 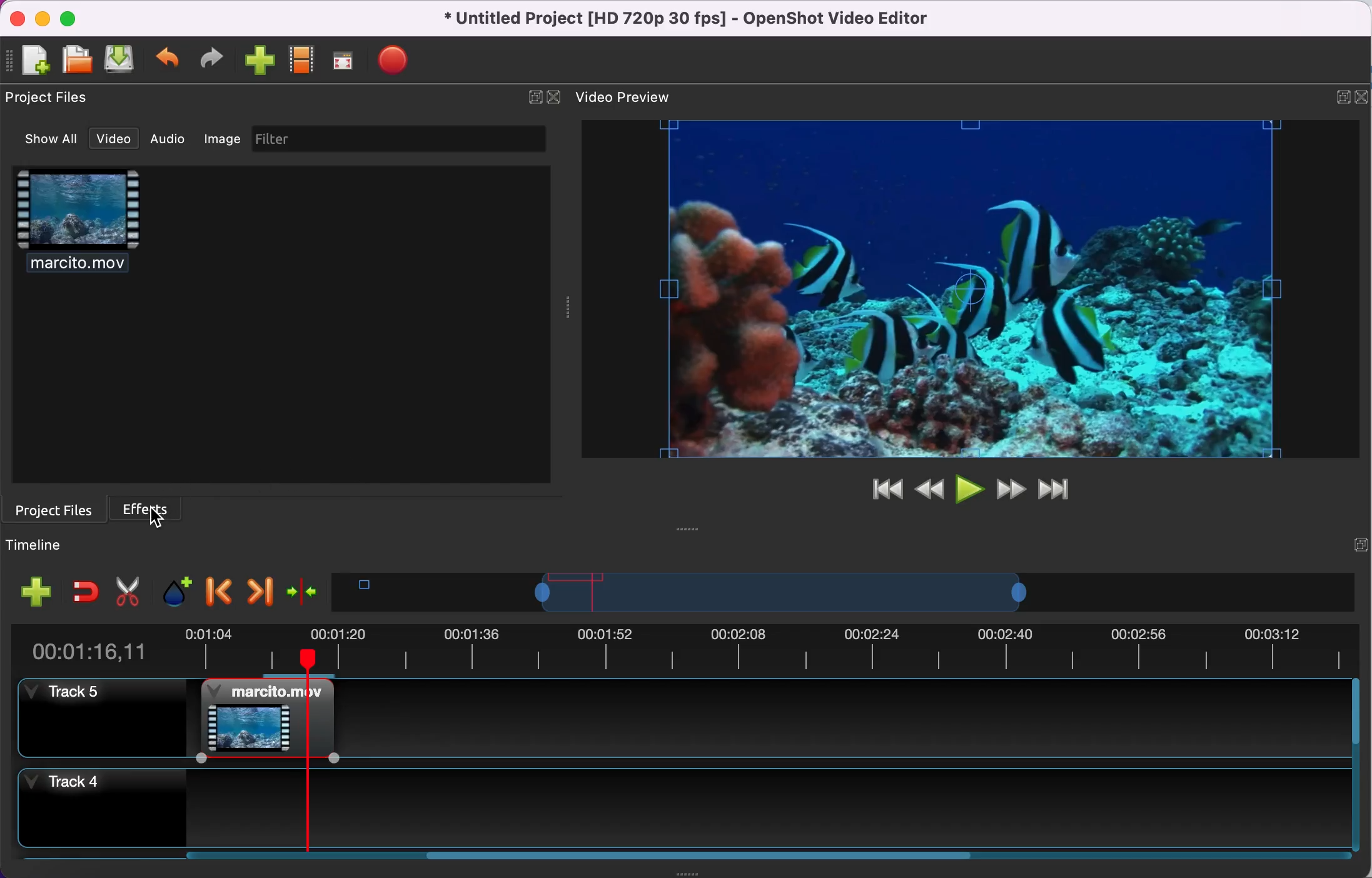 I want to click on previous marker, so click(x=218, y=590).